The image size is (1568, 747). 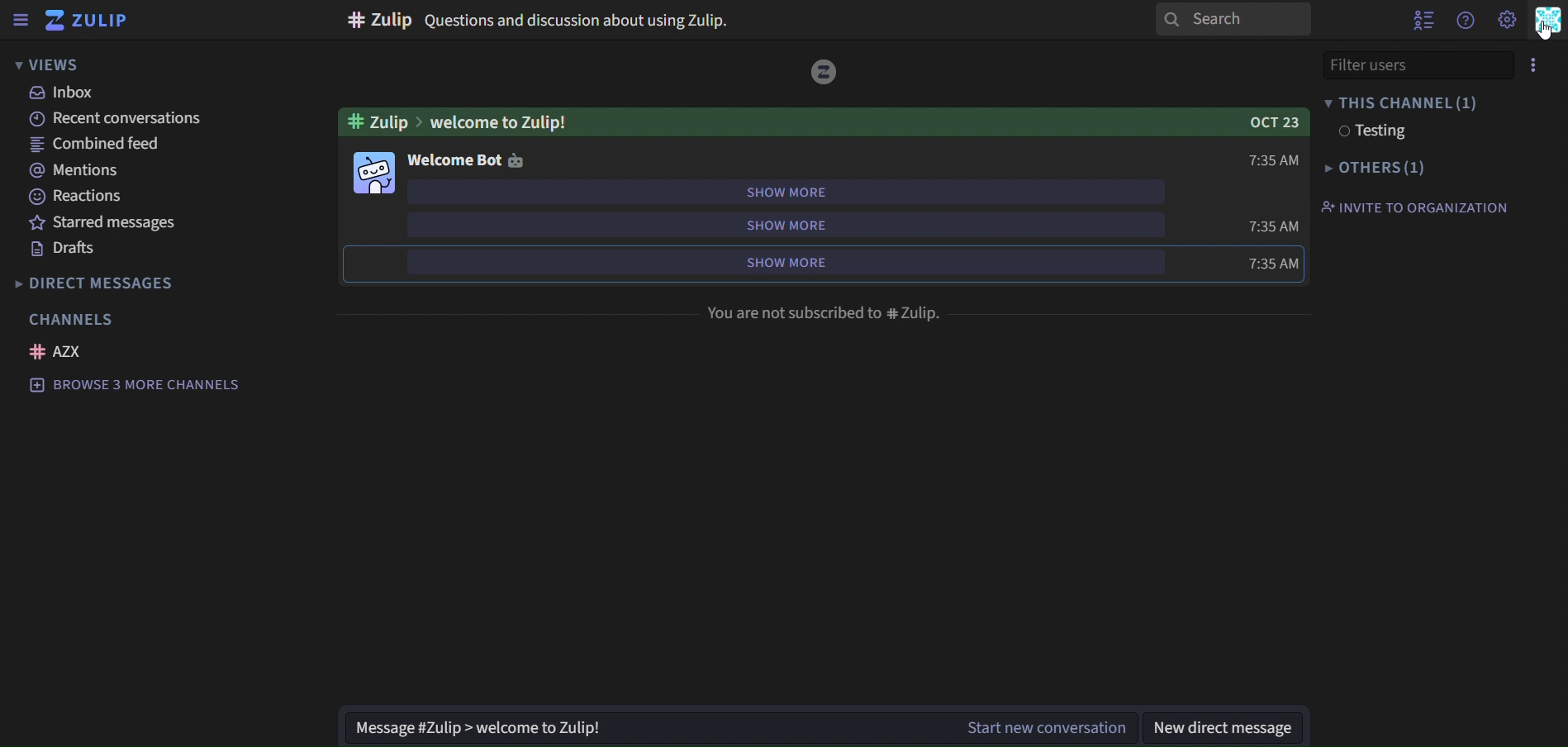 What do you see at coordinates (64, 350) in the screenshot?
I see `azx` at bounding box center [64, 350].